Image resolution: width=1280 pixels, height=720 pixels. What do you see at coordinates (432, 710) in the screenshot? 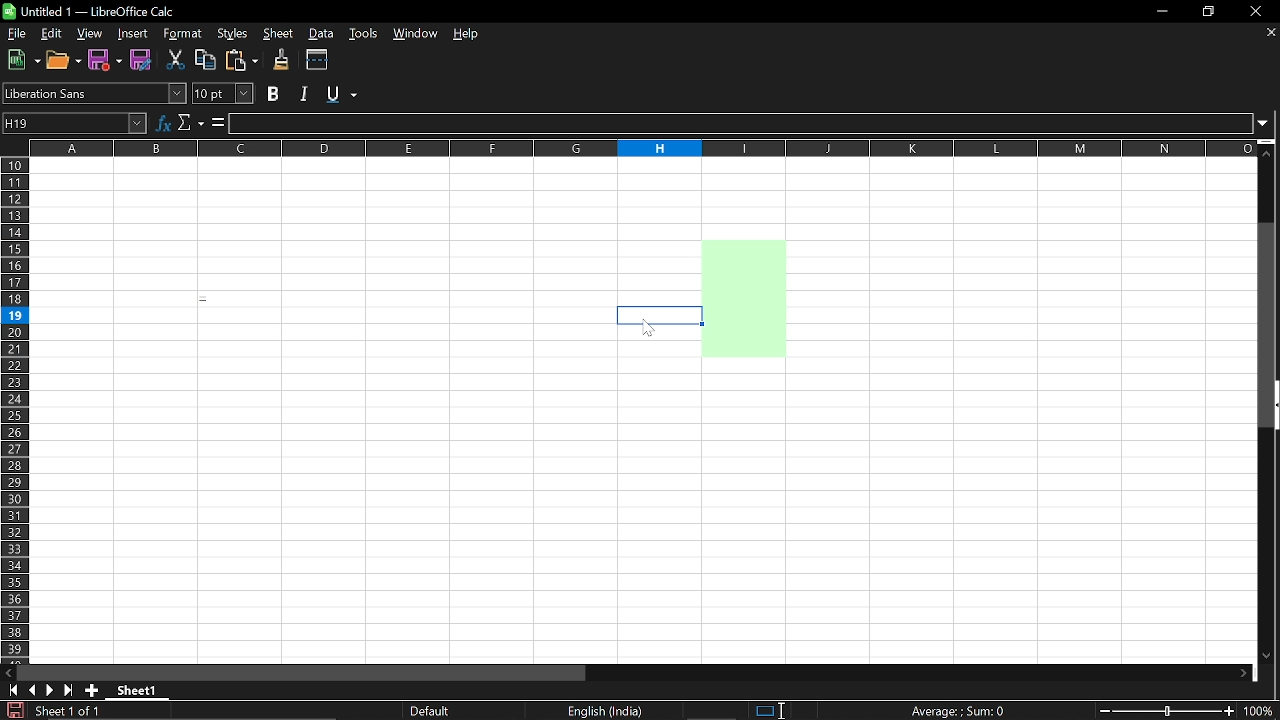
I see `page layout` at bounding box center [432, 710].